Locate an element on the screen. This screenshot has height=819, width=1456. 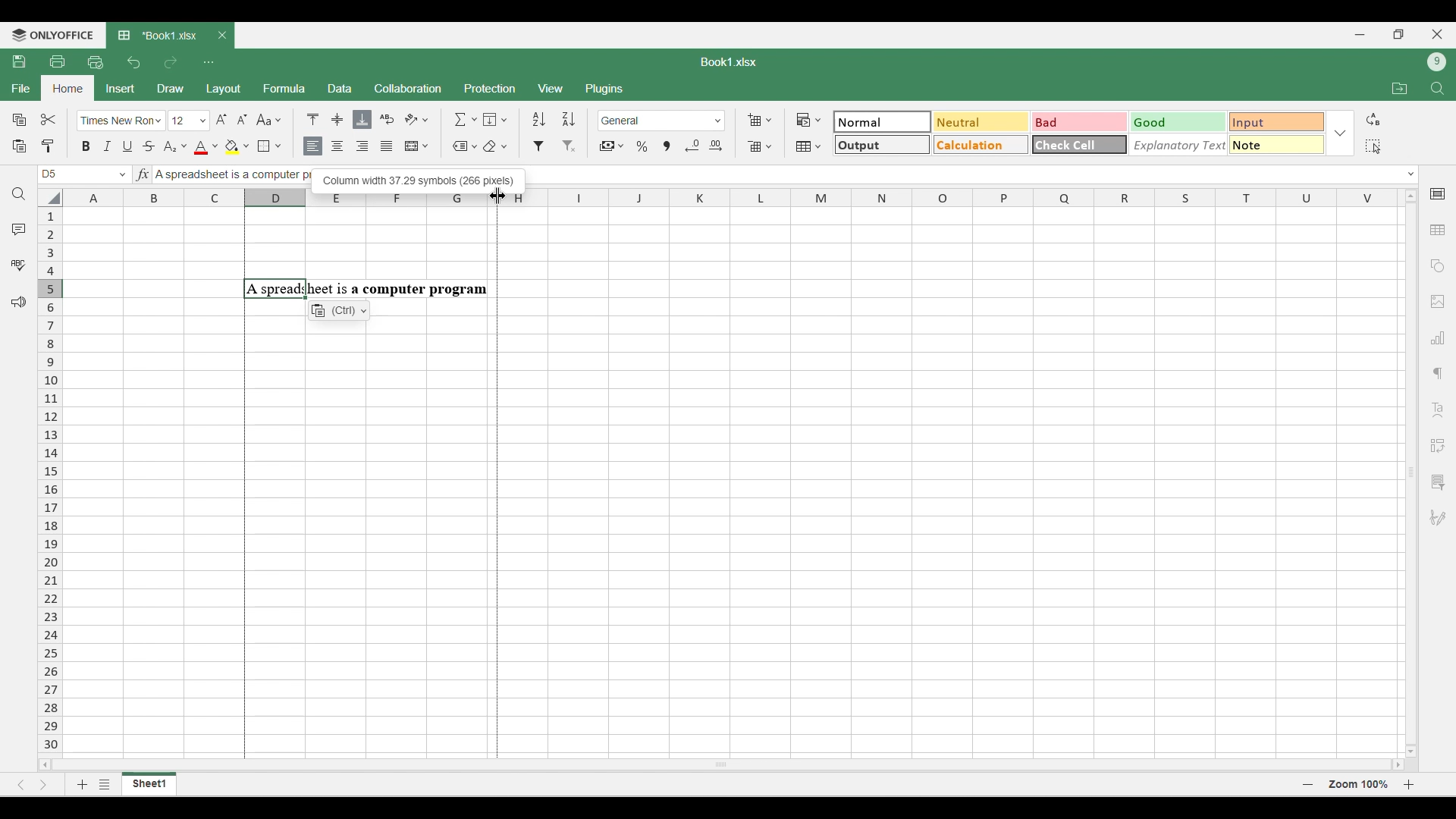
Zoom in is located at coordinates (1409, 784).